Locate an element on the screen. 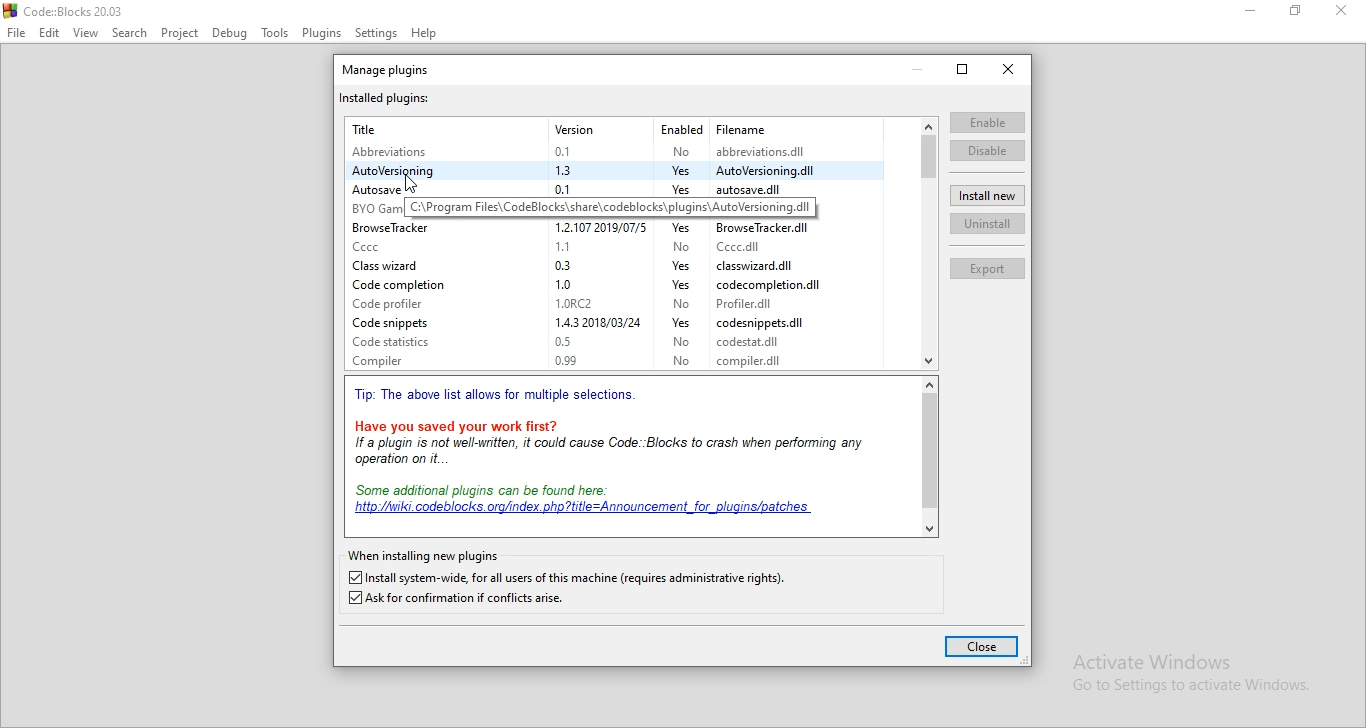 Image resolution: width=1366 pixels, height=728 pixels. 1.3 is located at coordinates (571, 168).